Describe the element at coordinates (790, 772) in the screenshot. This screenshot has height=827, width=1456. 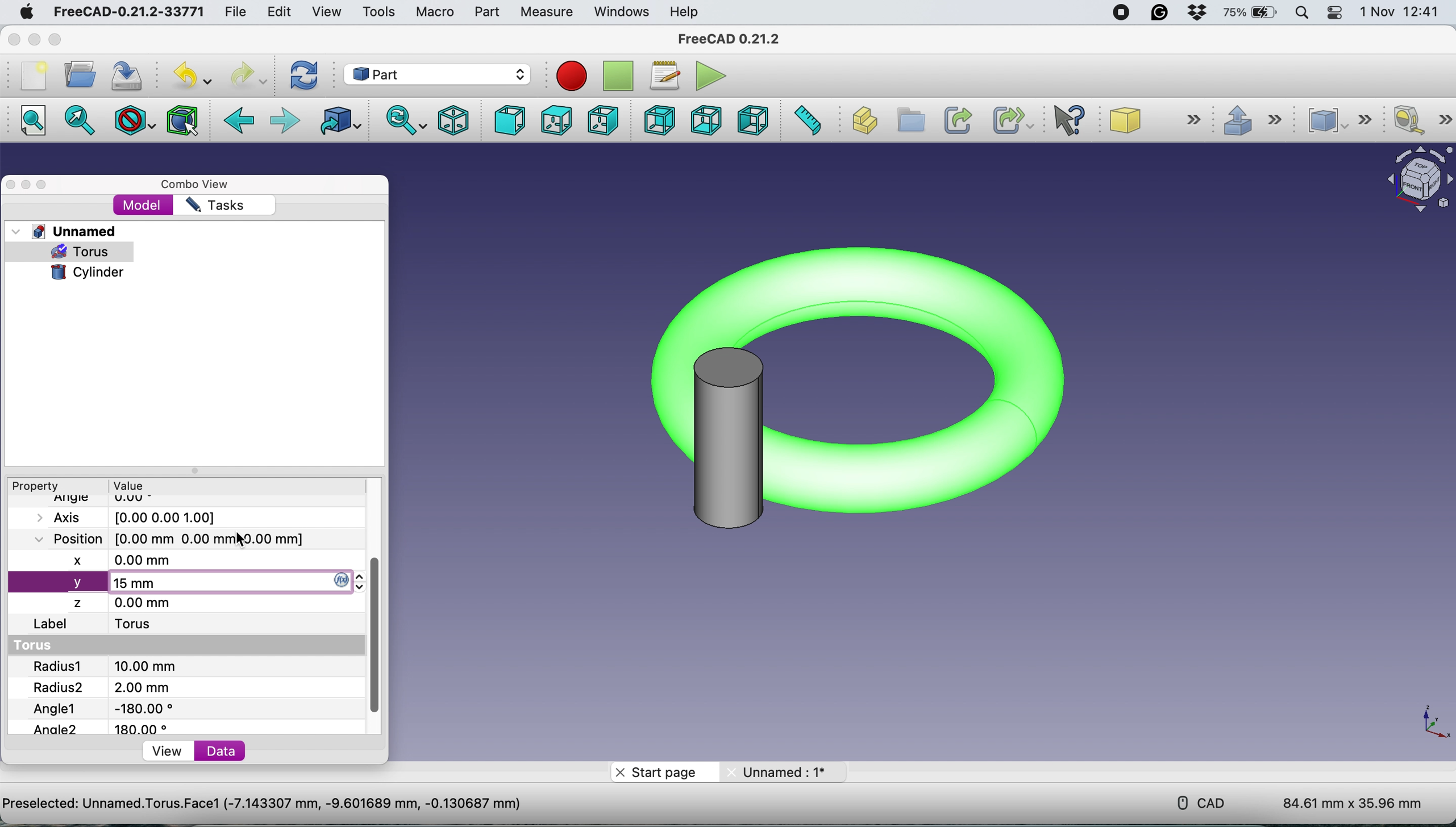
I see `unnamed` at that location.